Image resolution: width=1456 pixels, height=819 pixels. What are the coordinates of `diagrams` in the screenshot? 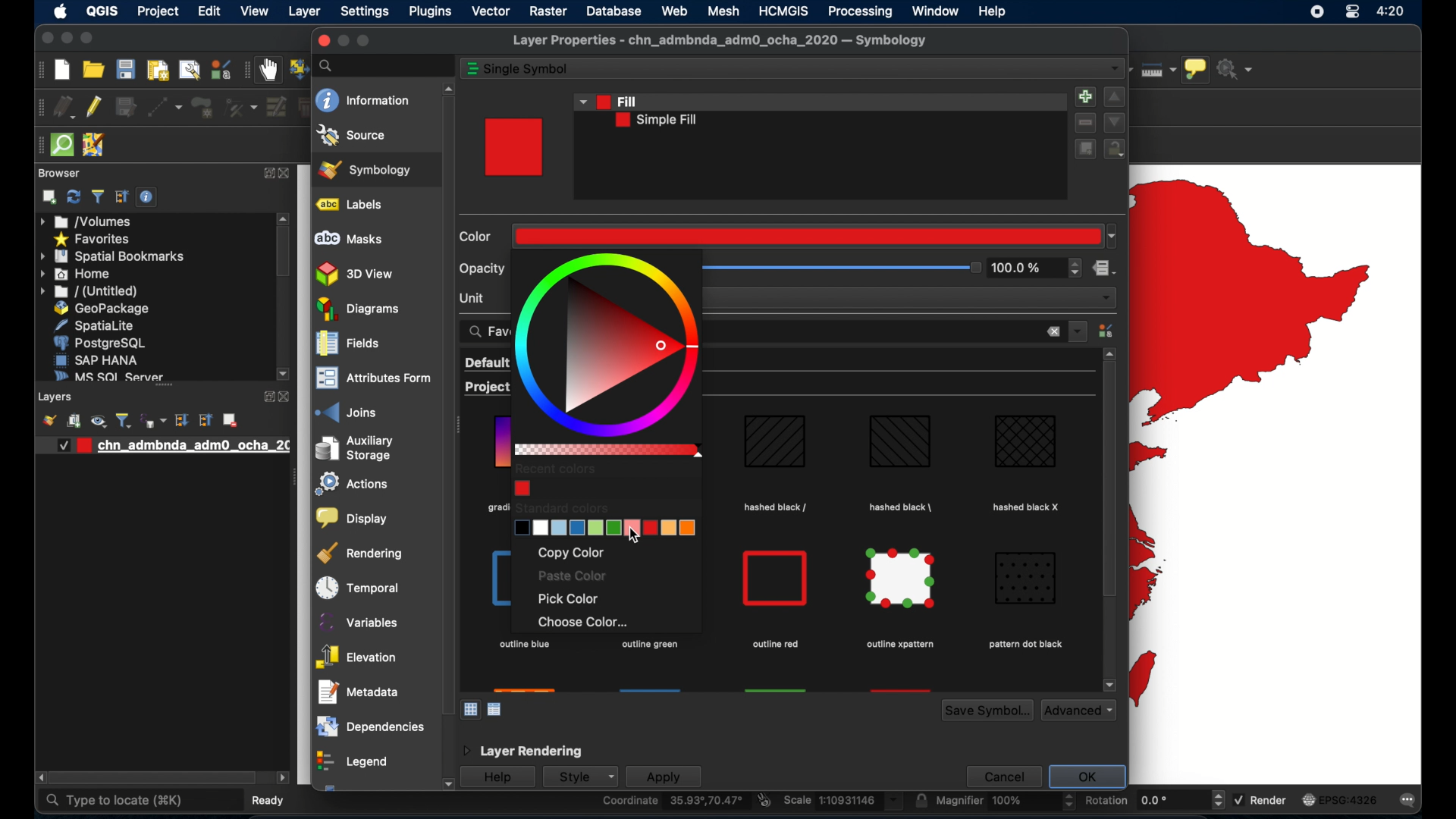 It's located at (359, 309).